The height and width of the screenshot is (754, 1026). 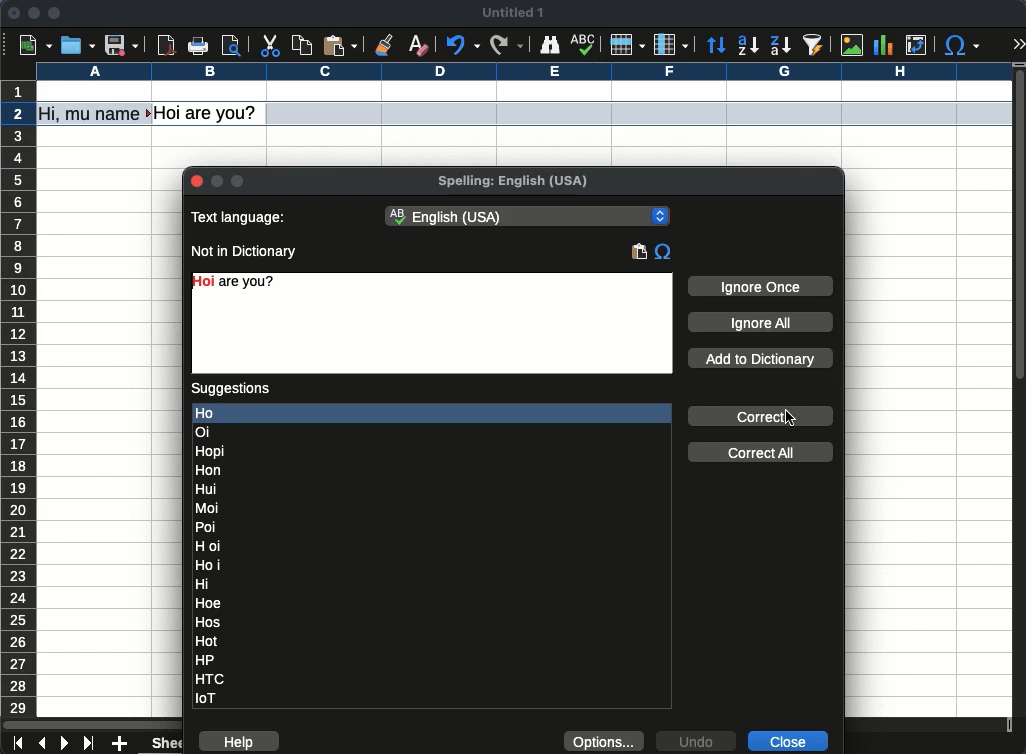 I want to click on Moi, so click(x=210, y=507).